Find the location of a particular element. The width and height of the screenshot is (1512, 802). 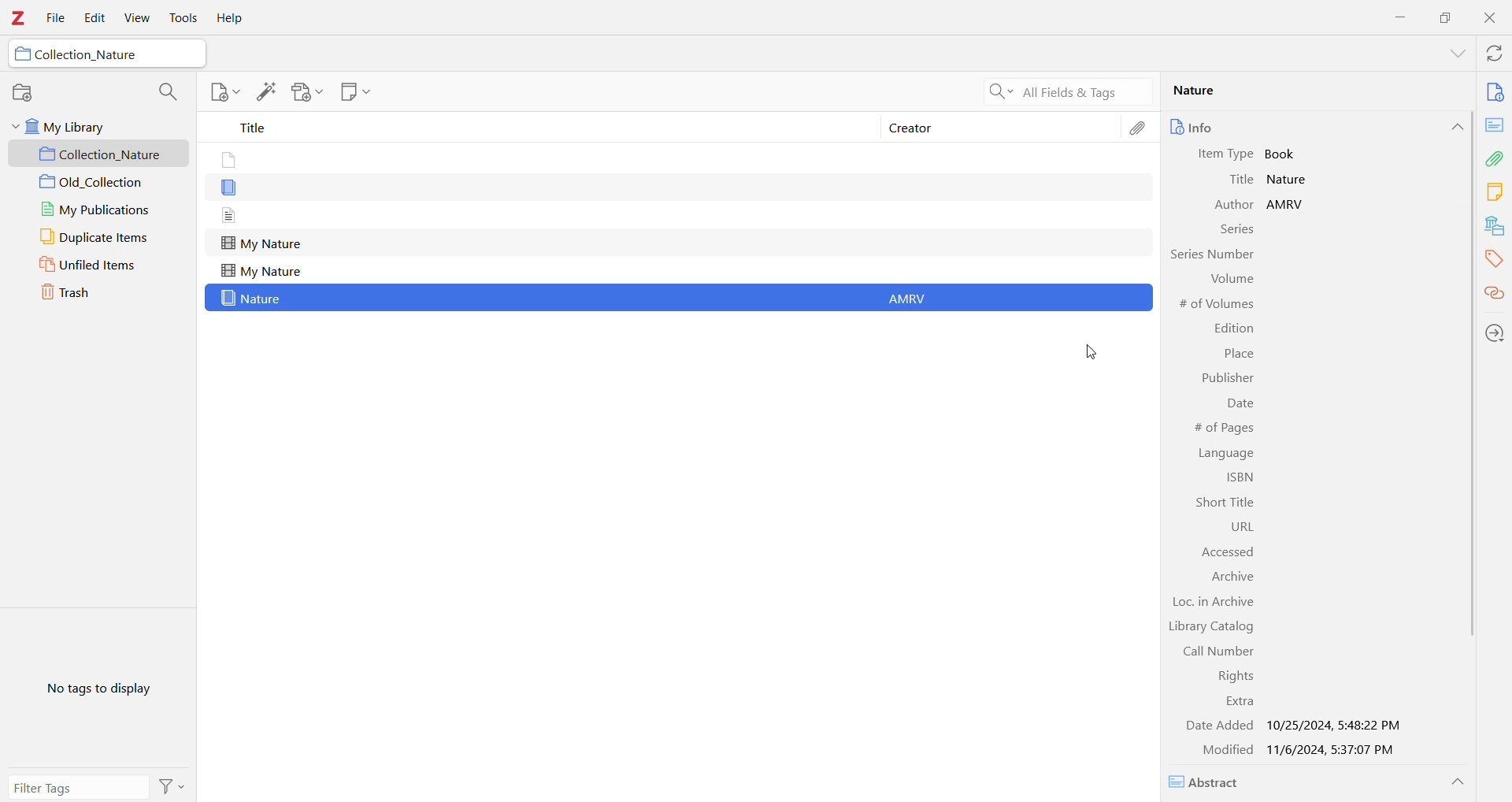

Actions is located at coordinates (172, 786).